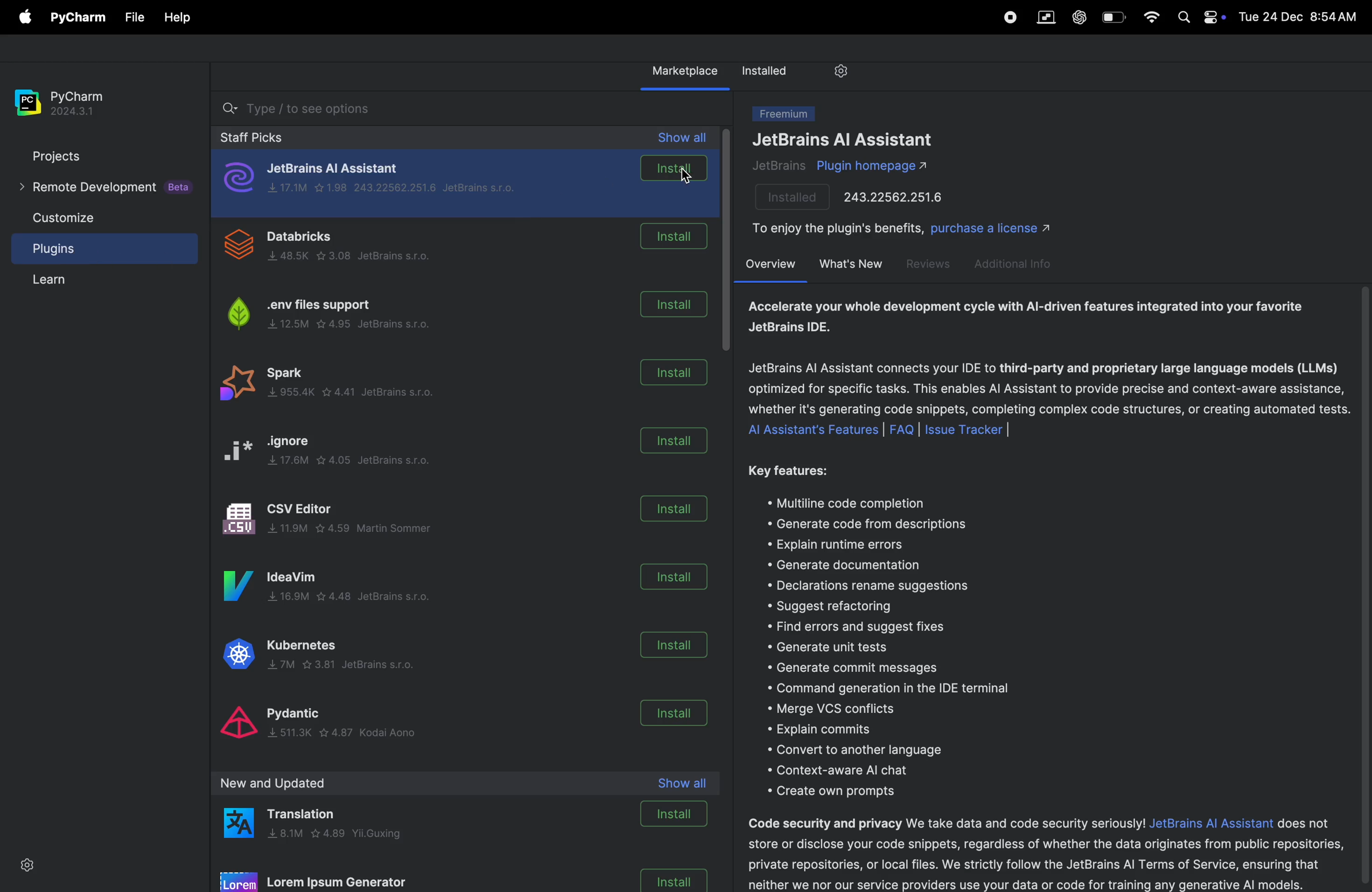  I want to click on record, so click(1009, 17).